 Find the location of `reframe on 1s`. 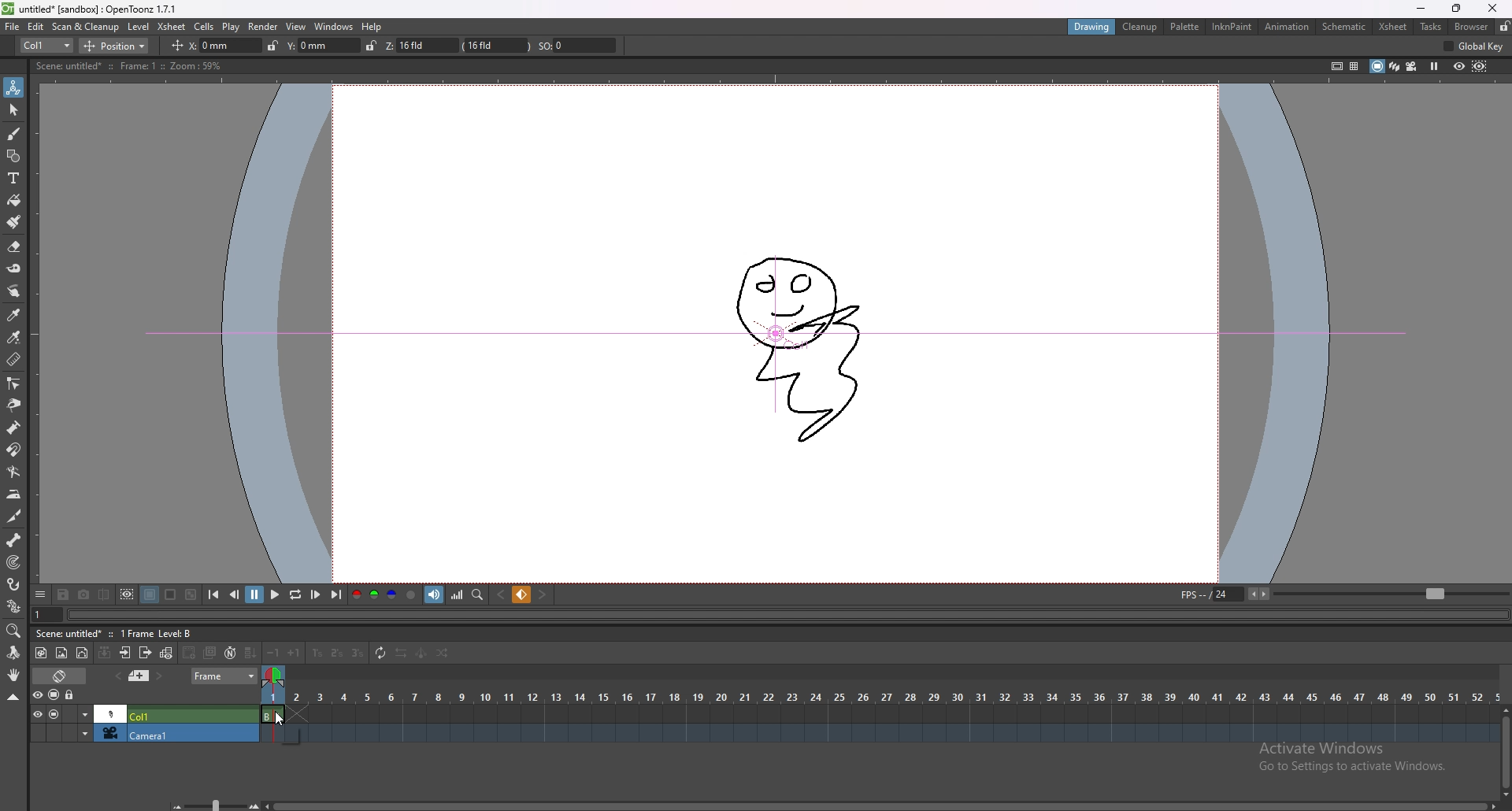

reframe on 1s is located at coordinates (317, 654).